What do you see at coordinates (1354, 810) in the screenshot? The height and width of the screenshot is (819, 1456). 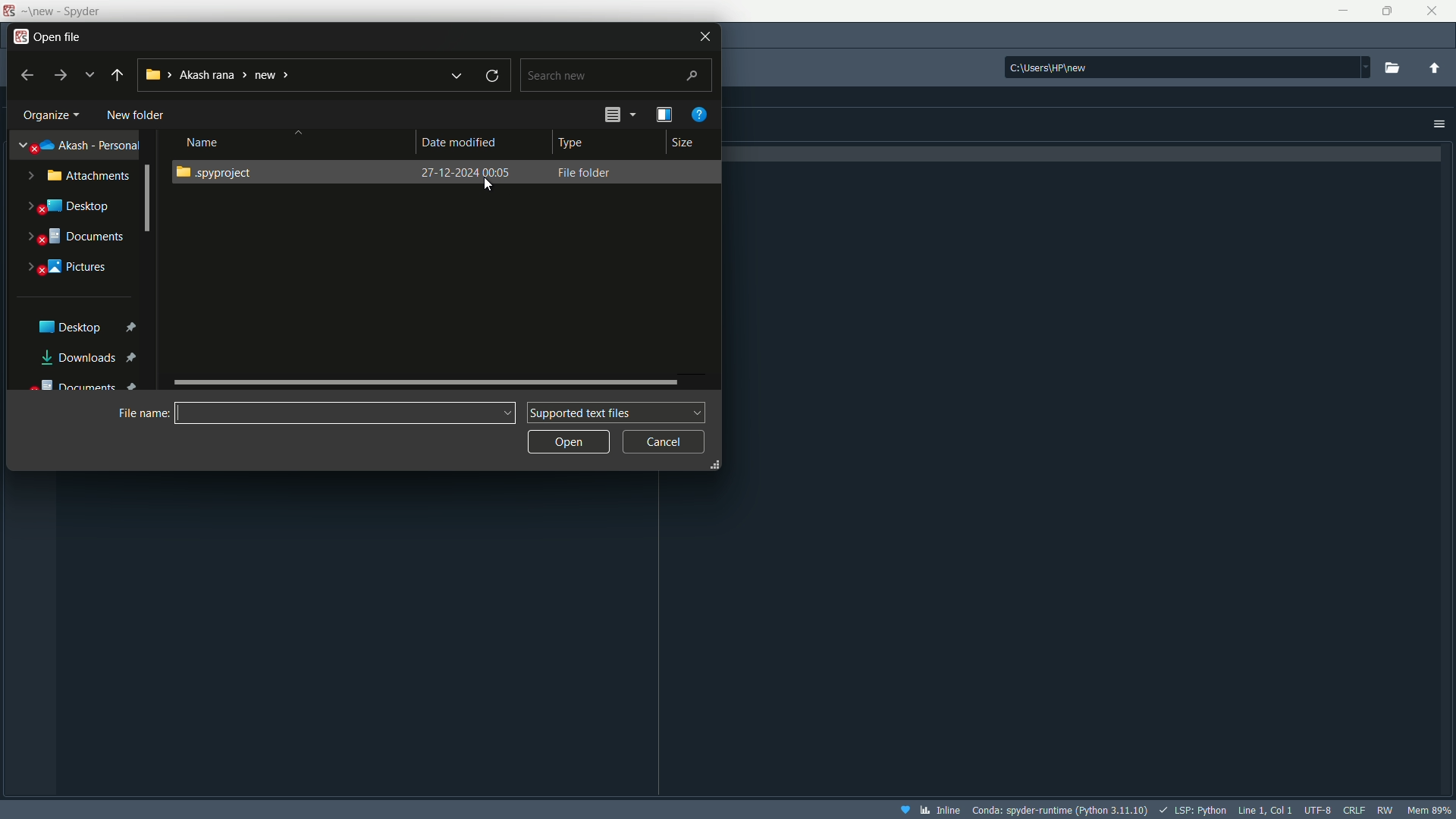 I see `file eol status` at bounding box center [1354, 810].